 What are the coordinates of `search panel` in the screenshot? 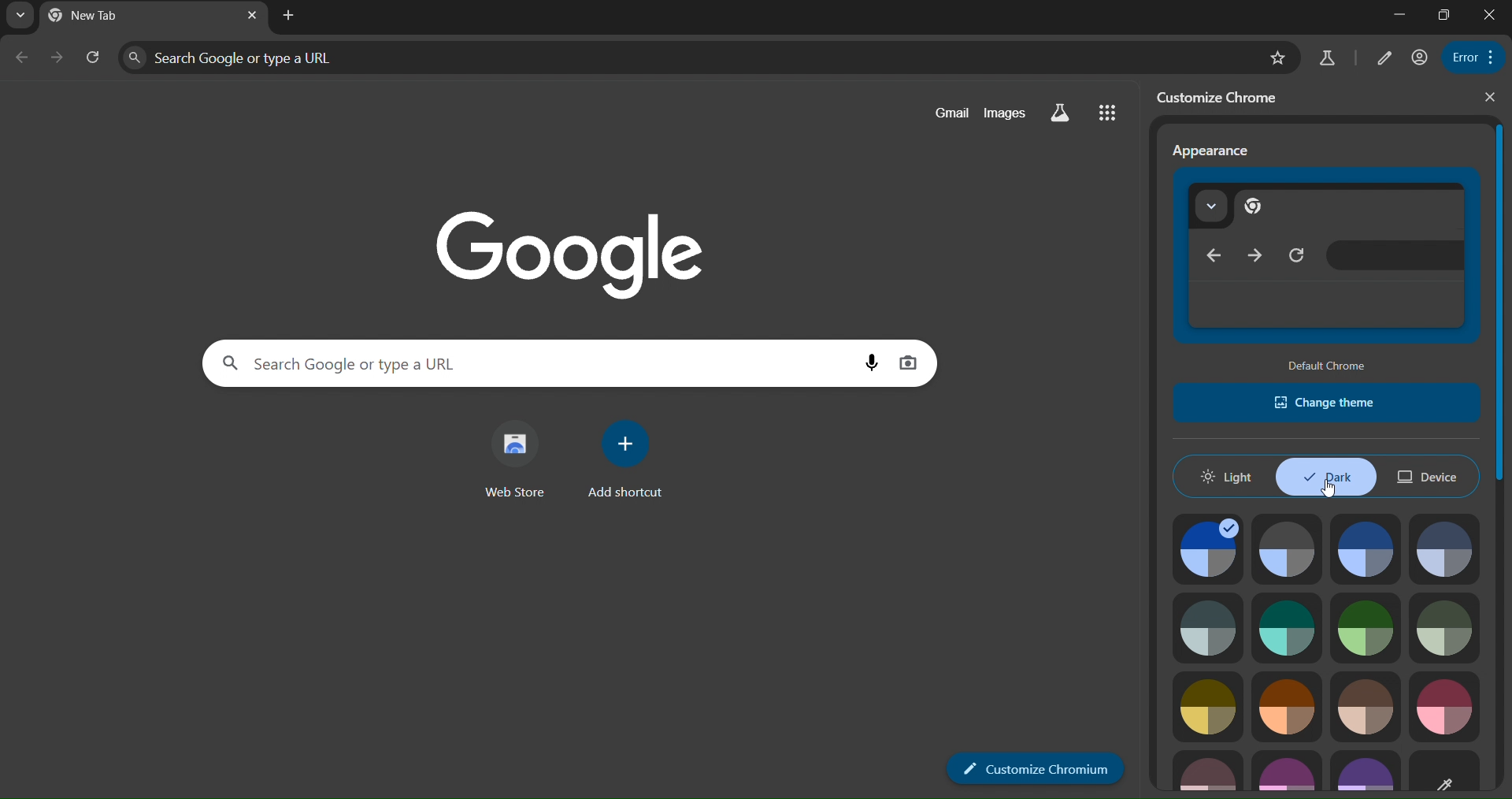 It's located at (530, 362).